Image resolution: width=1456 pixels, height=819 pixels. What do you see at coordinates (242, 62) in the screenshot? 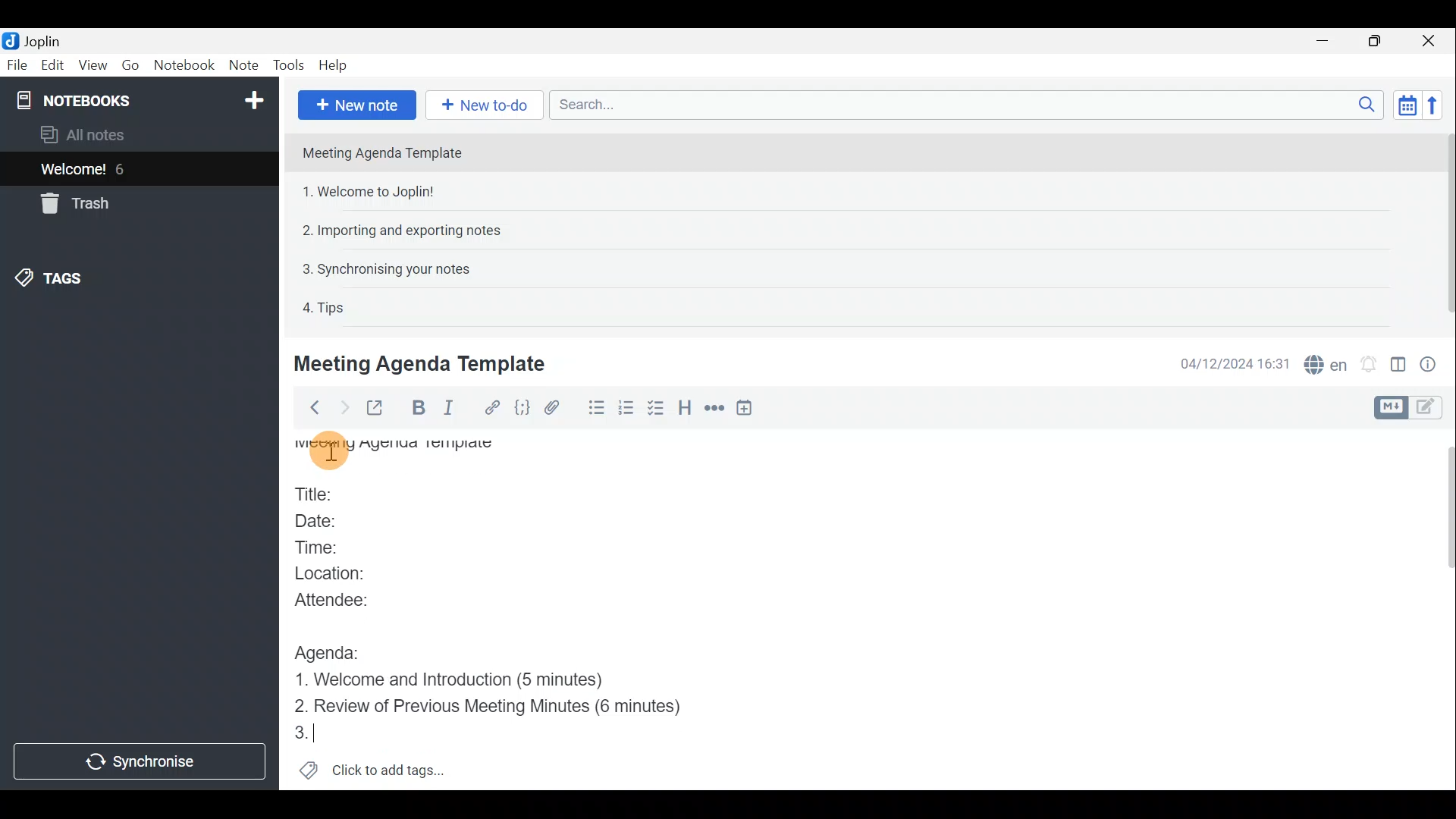
I see `Note` at bounding box center [242, 62].